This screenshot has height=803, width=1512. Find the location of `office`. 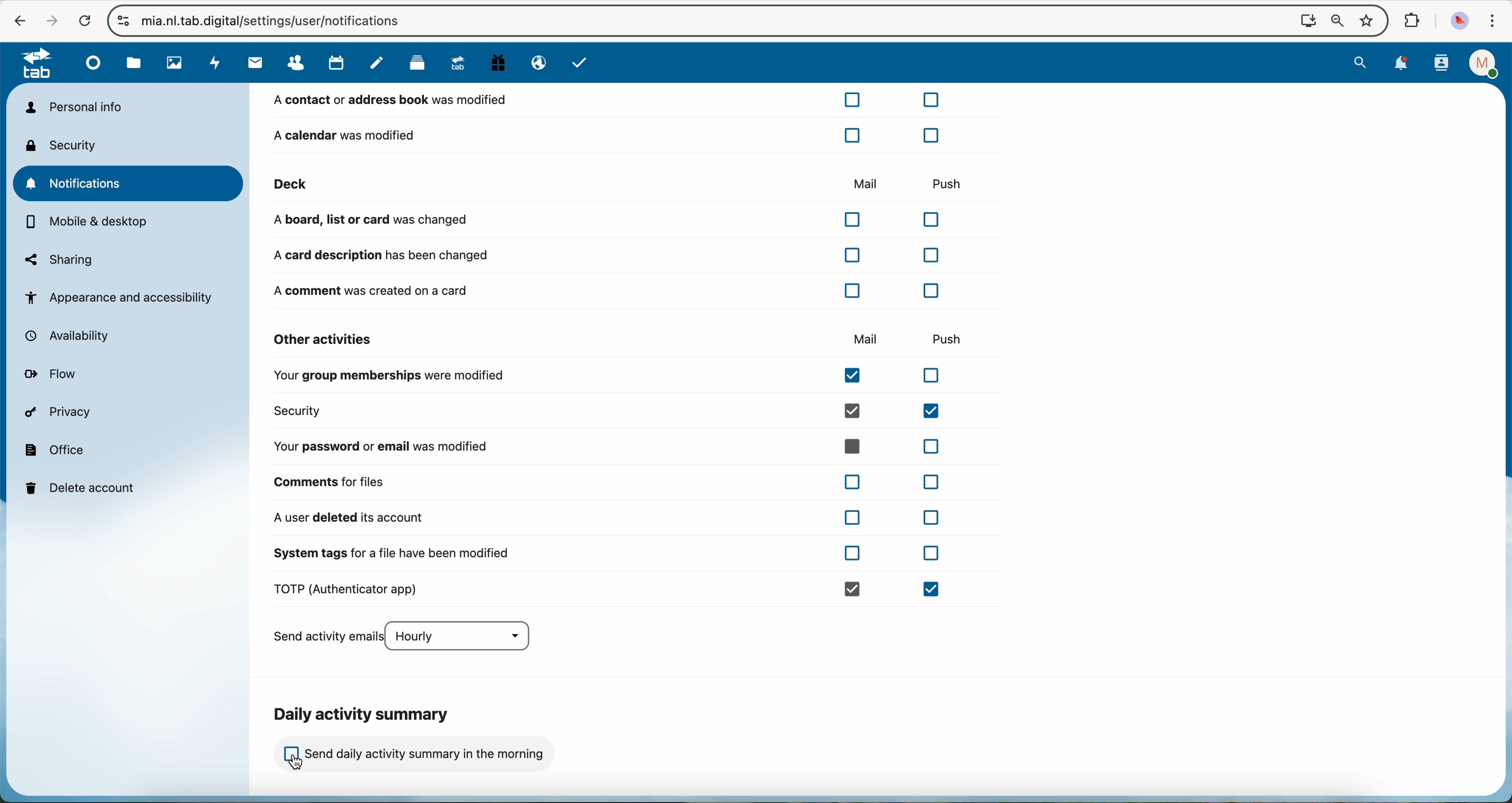

office is located at coordinates (56, 449).